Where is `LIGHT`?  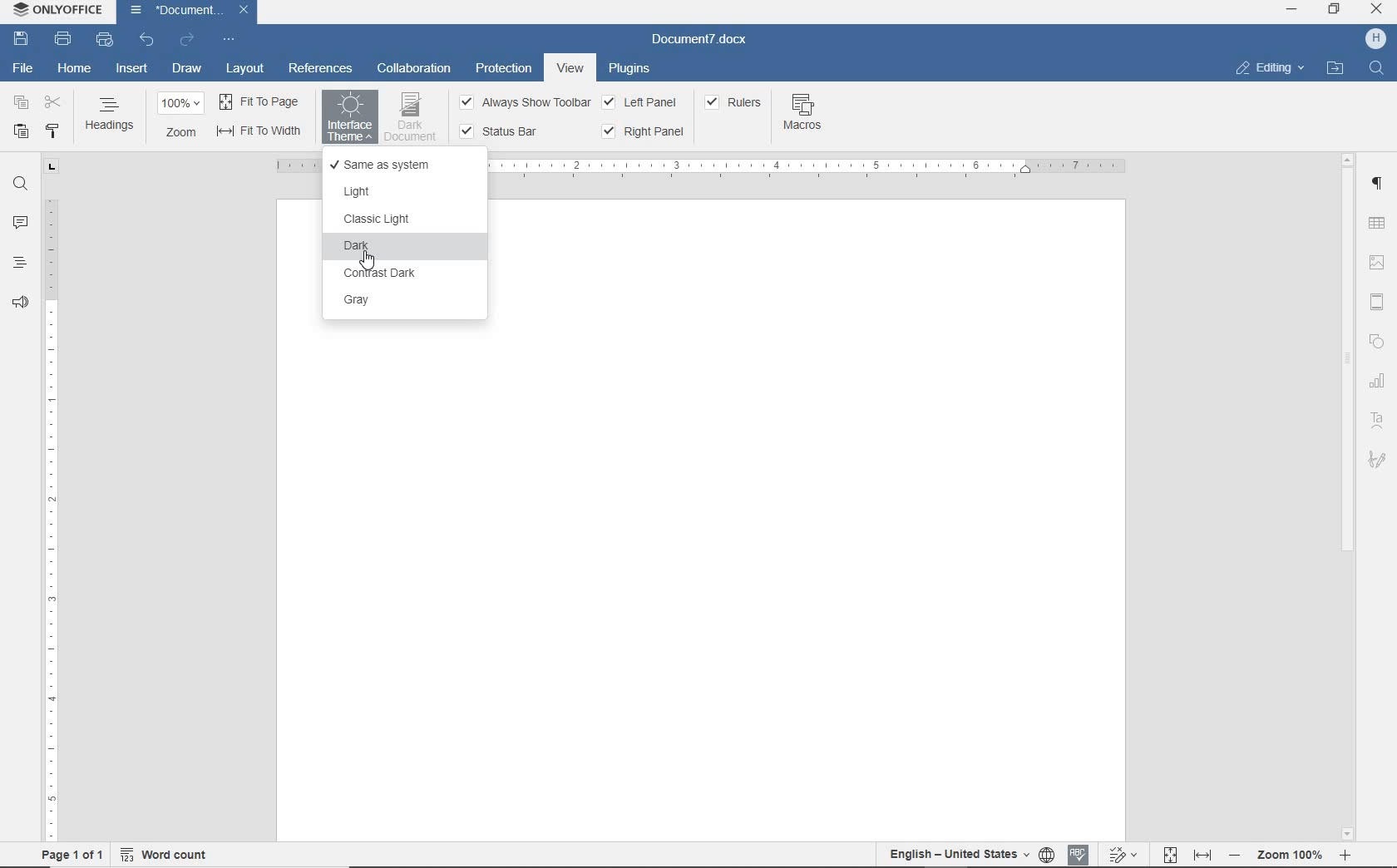
LIGHT is located at coordinates (405, 194).